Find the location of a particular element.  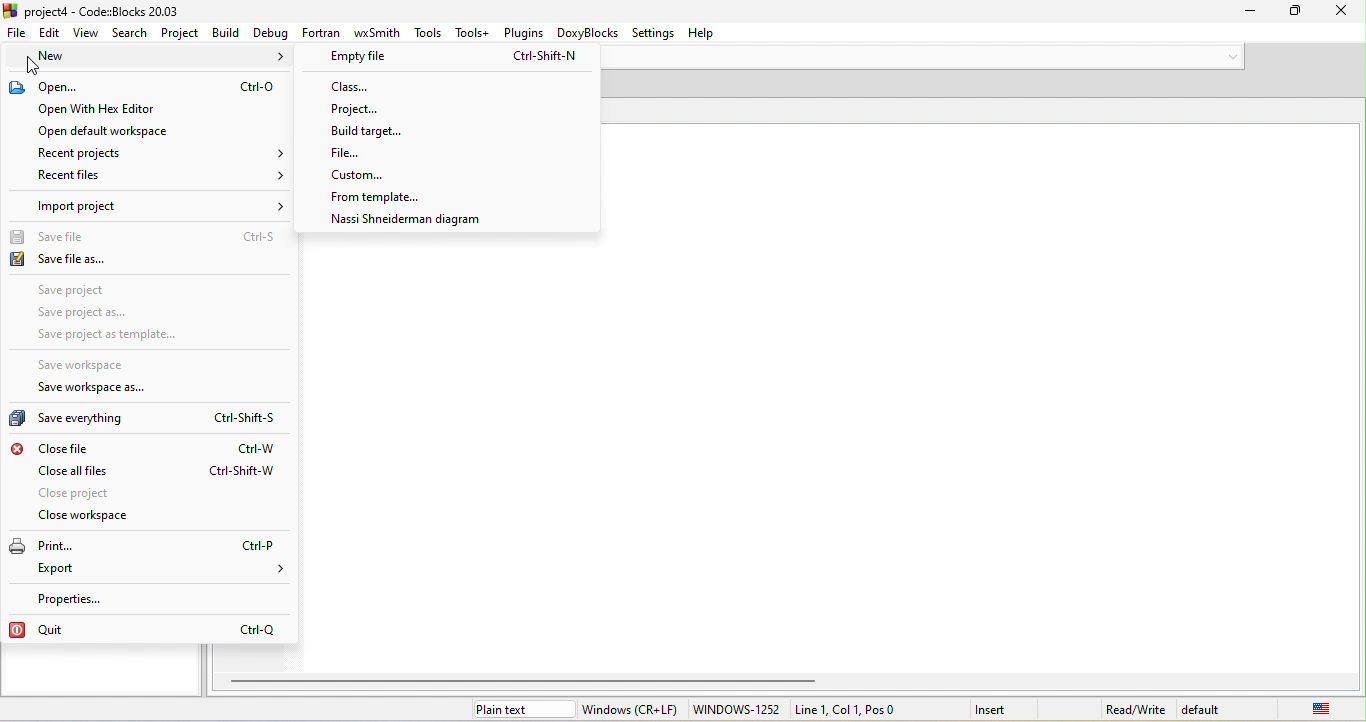

file is located at coordinates (361, 151).